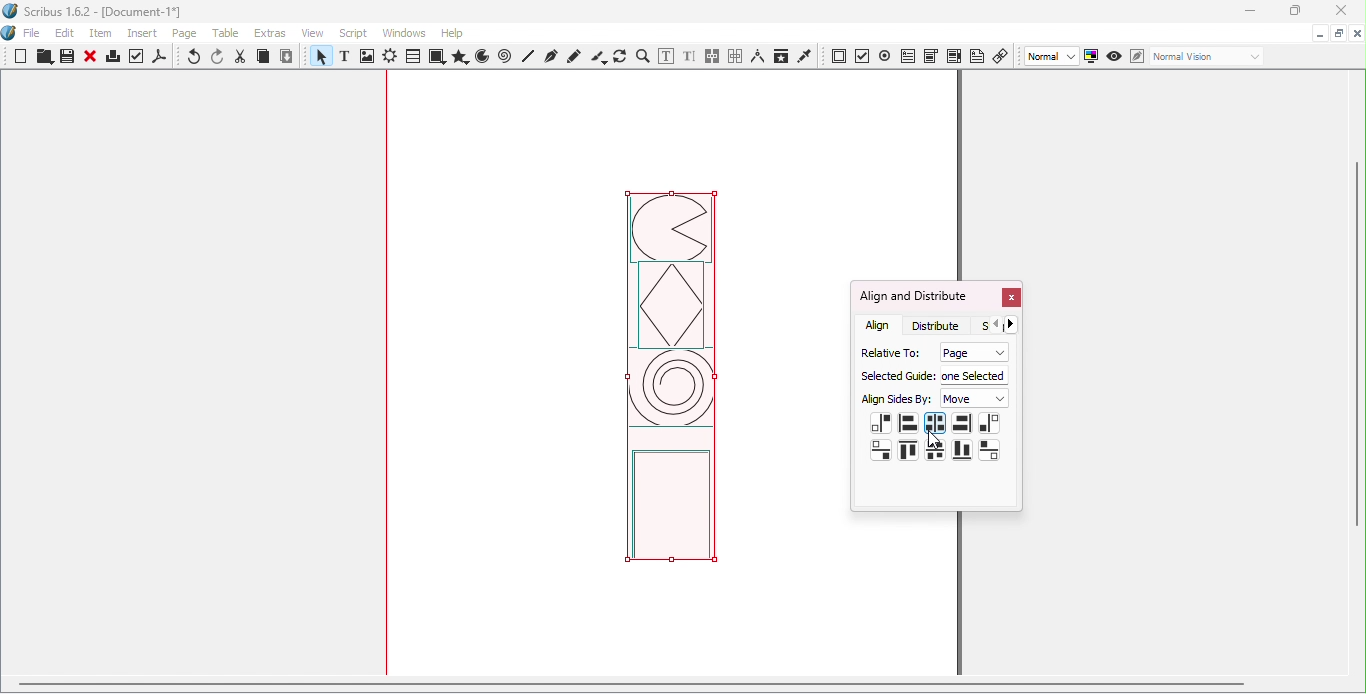 Image resolution: width=1366 pixels, height=694 pixels. What do you see at coordinates (1010, 299) in the screenshot?
I see `Close` at bounding box center [1010, 299].